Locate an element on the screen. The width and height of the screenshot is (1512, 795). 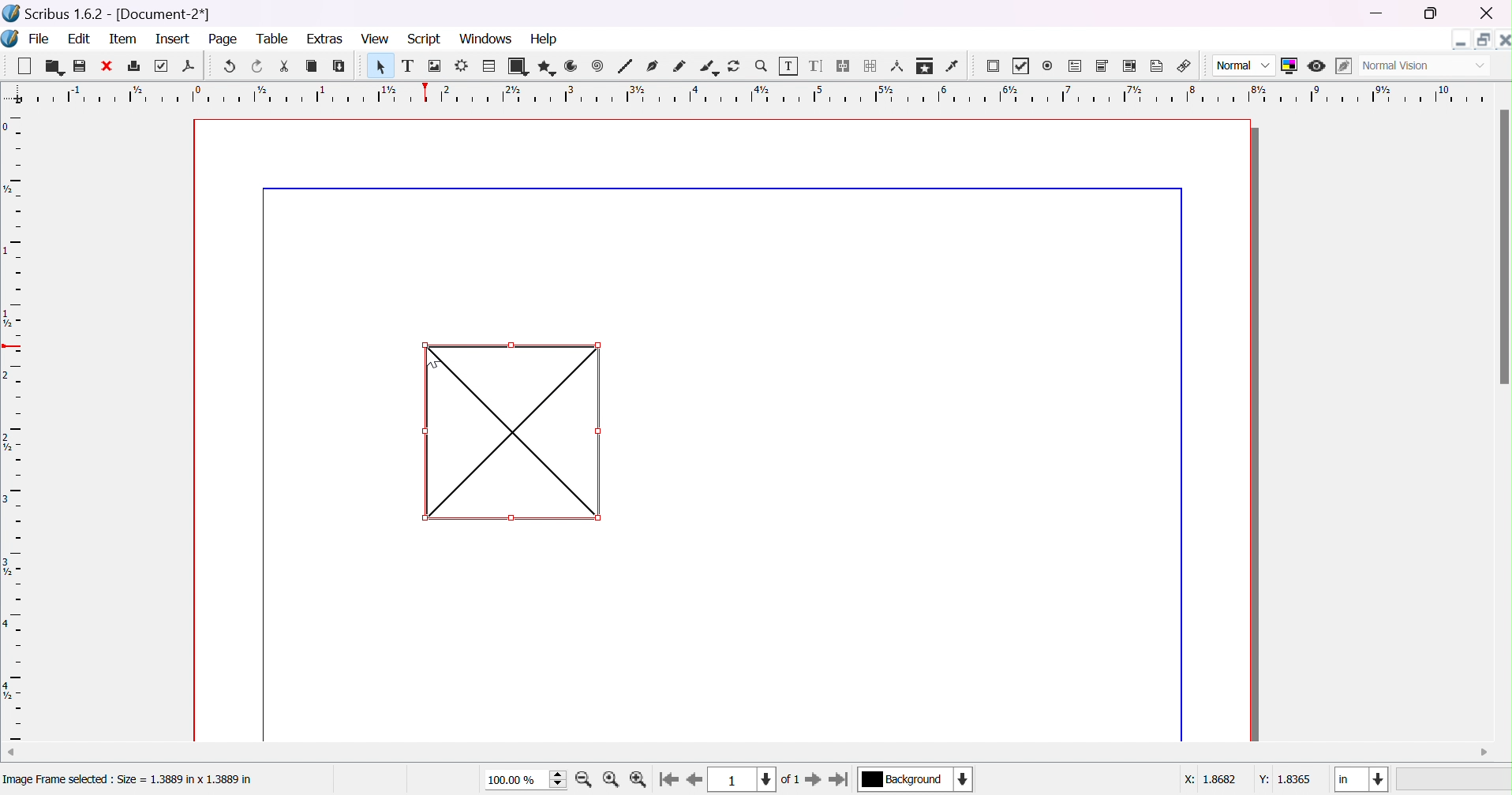
unlink text frames is located at coordinates (871, 65).